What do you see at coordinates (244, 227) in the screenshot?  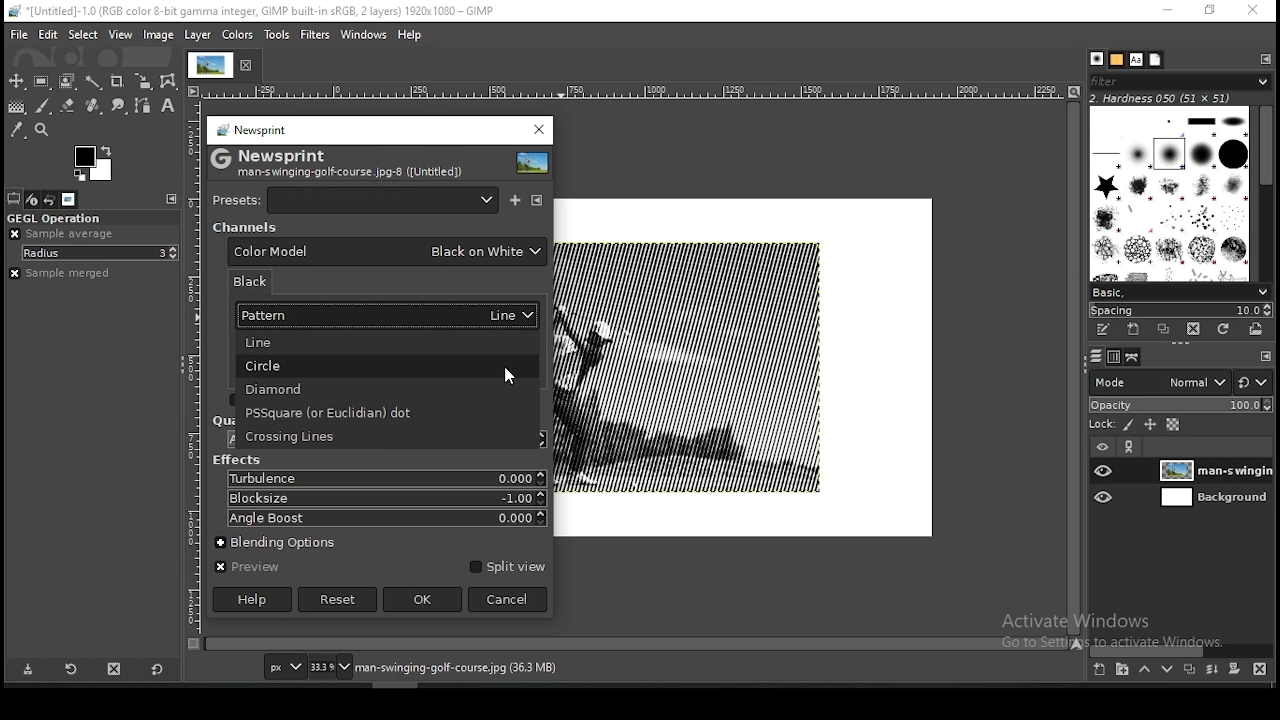 I see `channel` at bounding box center [244, 227].